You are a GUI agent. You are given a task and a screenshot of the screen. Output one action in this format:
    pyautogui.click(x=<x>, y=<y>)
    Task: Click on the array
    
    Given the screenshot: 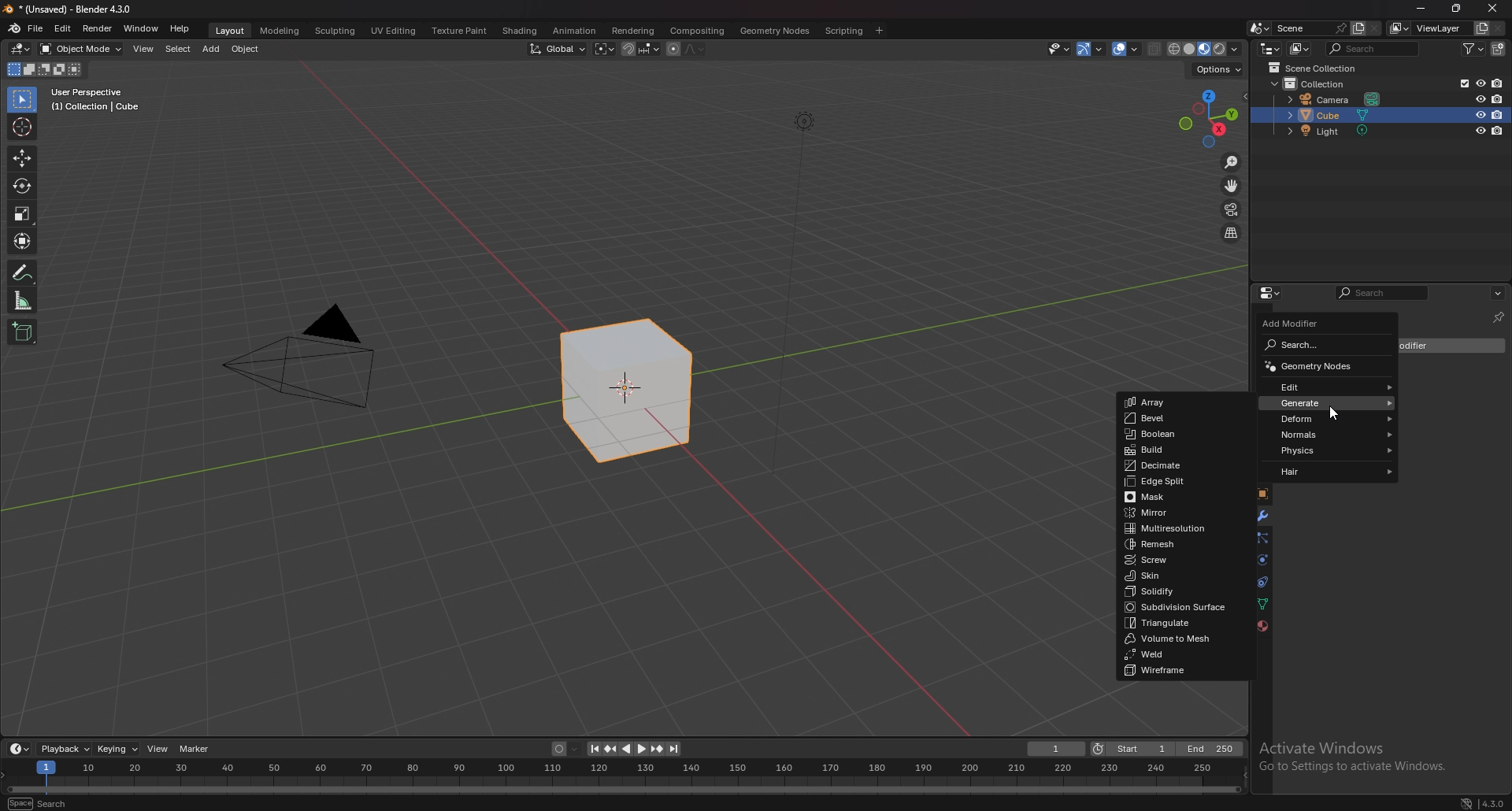 What is the action you would take?
    pyautogui.click(x=1188, y=401)
    